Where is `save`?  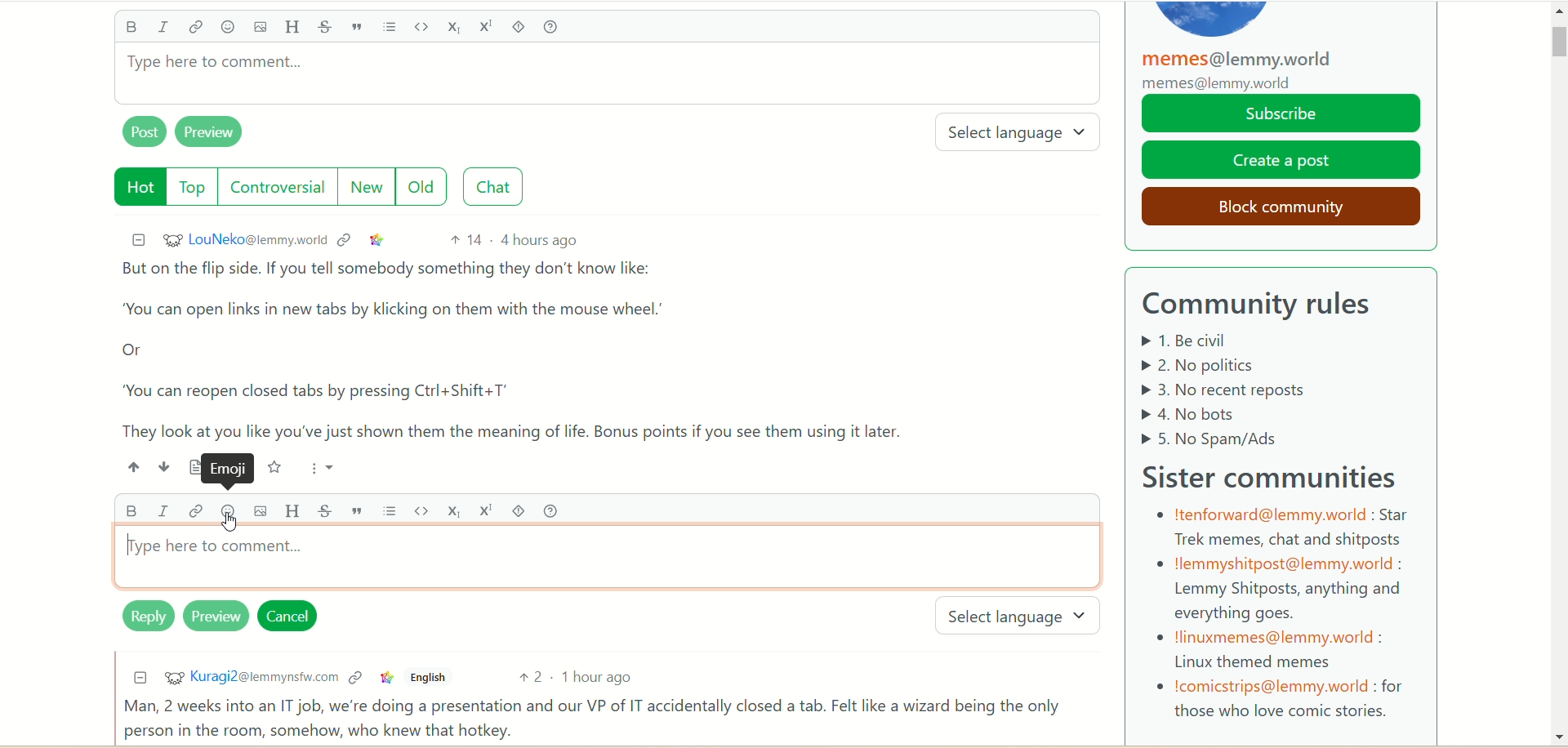 save is located at coordinates (275, 467).